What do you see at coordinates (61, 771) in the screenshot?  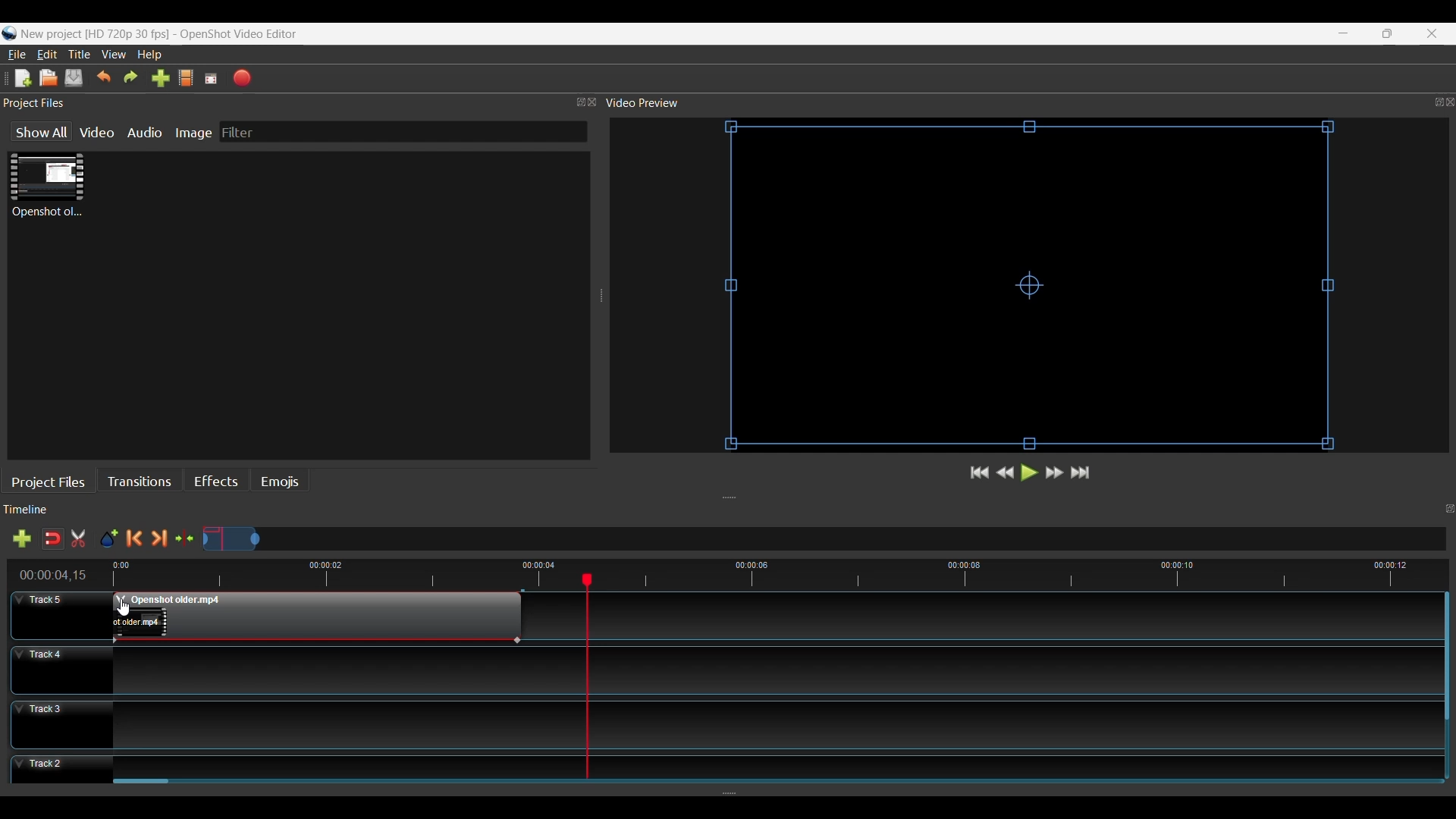 I see `Track Header` at bounding box center [61, 771].